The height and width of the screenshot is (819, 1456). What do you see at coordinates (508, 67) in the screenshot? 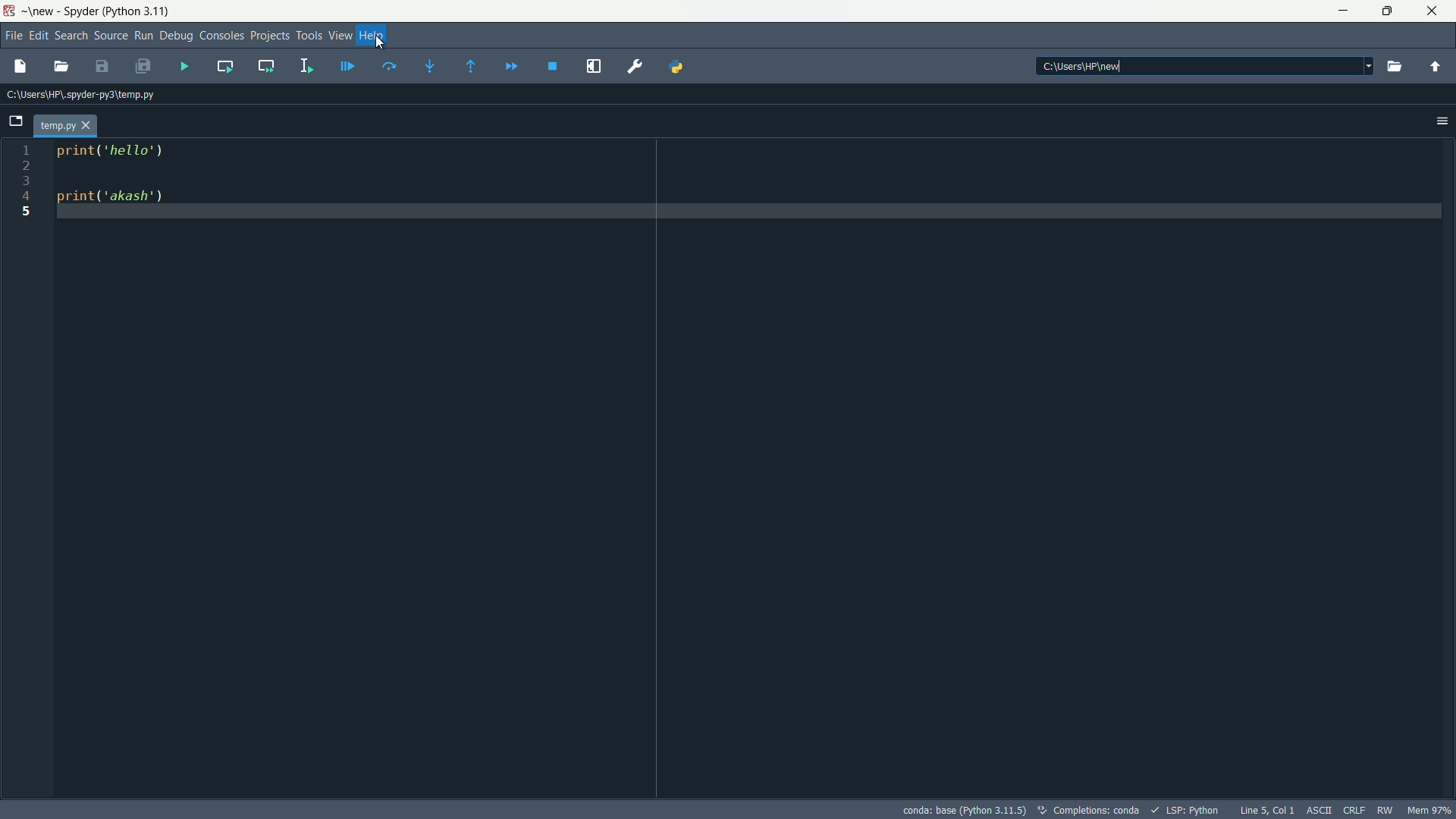
I see `continue execution until next breakpoint` at bounding box center [508, 67].